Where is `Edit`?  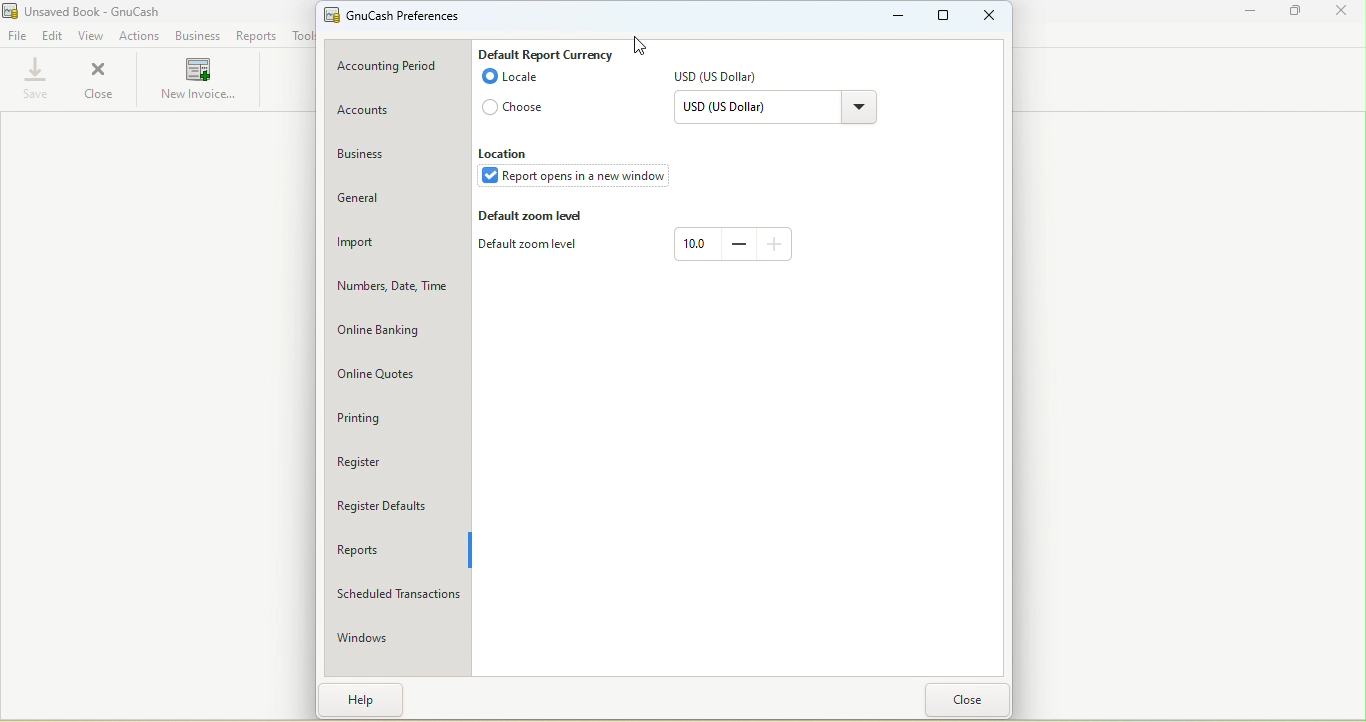 Edit is located at coordinates (53, 37).